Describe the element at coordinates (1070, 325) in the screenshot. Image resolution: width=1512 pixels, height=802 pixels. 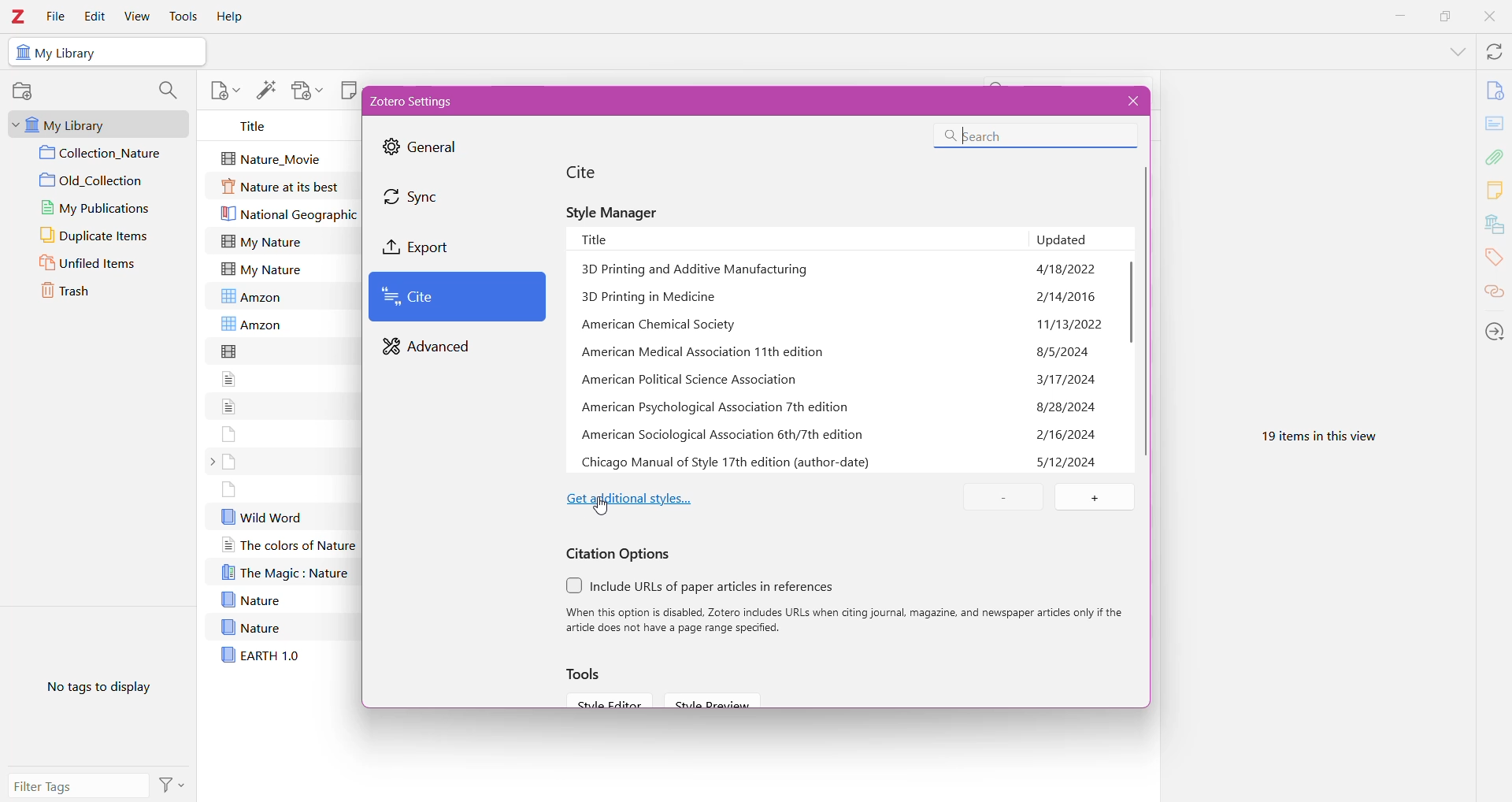
I see `11/13/2022` at that location.